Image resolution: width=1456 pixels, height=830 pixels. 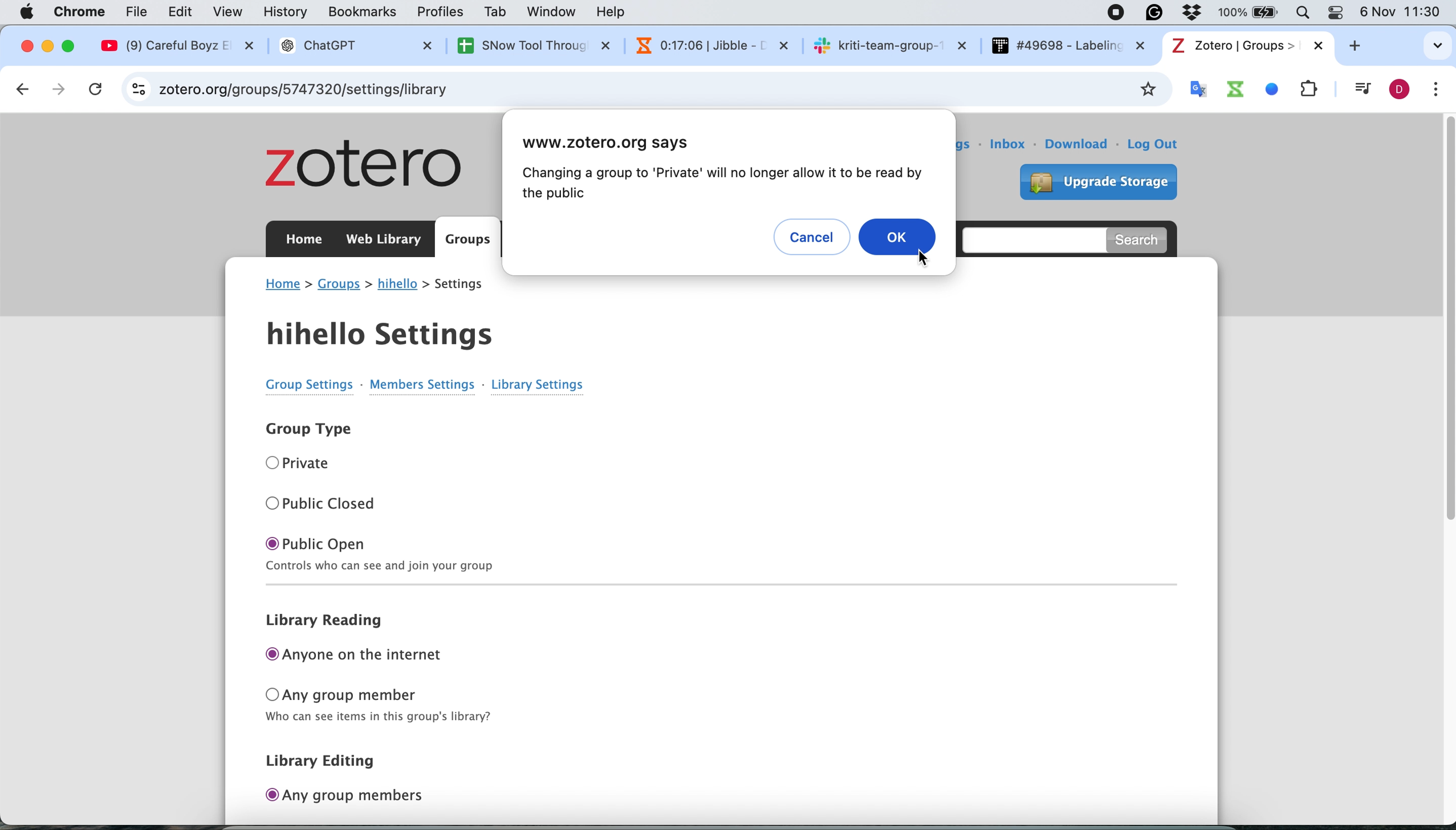 I want to click on Group Settings, so click(x=295, y=385).